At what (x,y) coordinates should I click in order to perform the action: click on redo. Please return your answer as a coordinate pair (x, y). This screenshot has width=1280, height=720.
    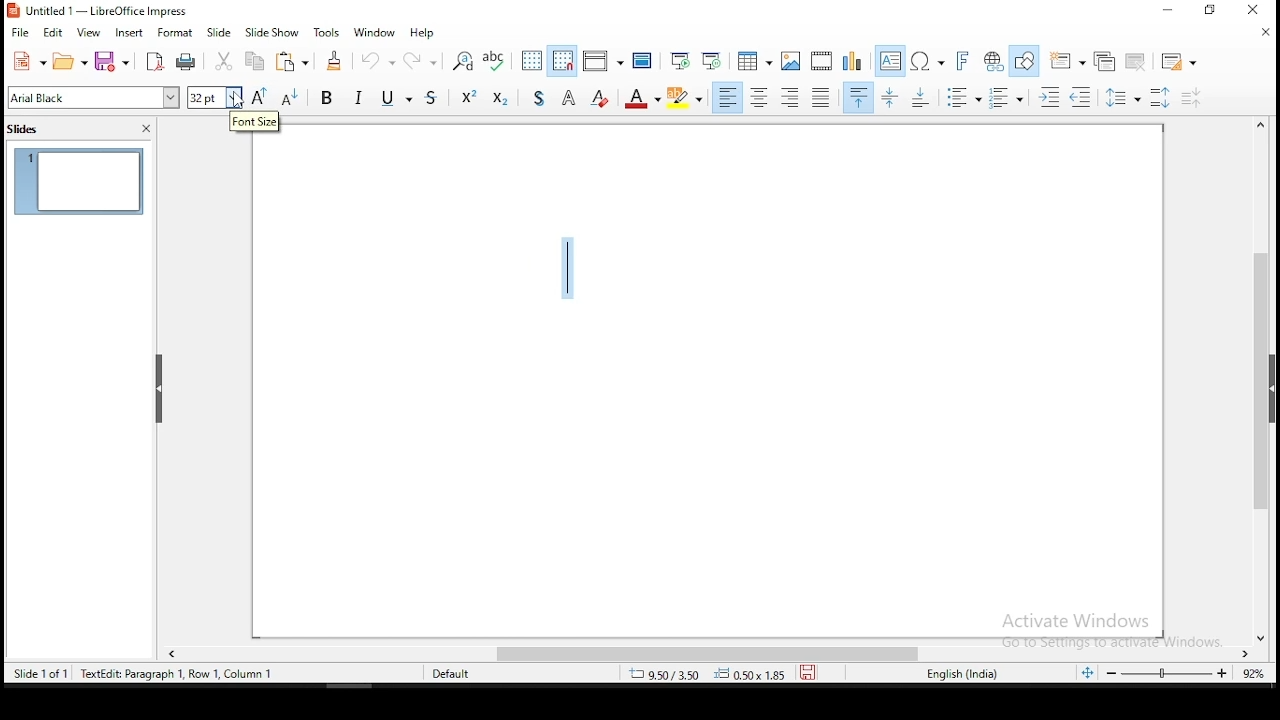
    Looking at the image, I should click on (419, 58).